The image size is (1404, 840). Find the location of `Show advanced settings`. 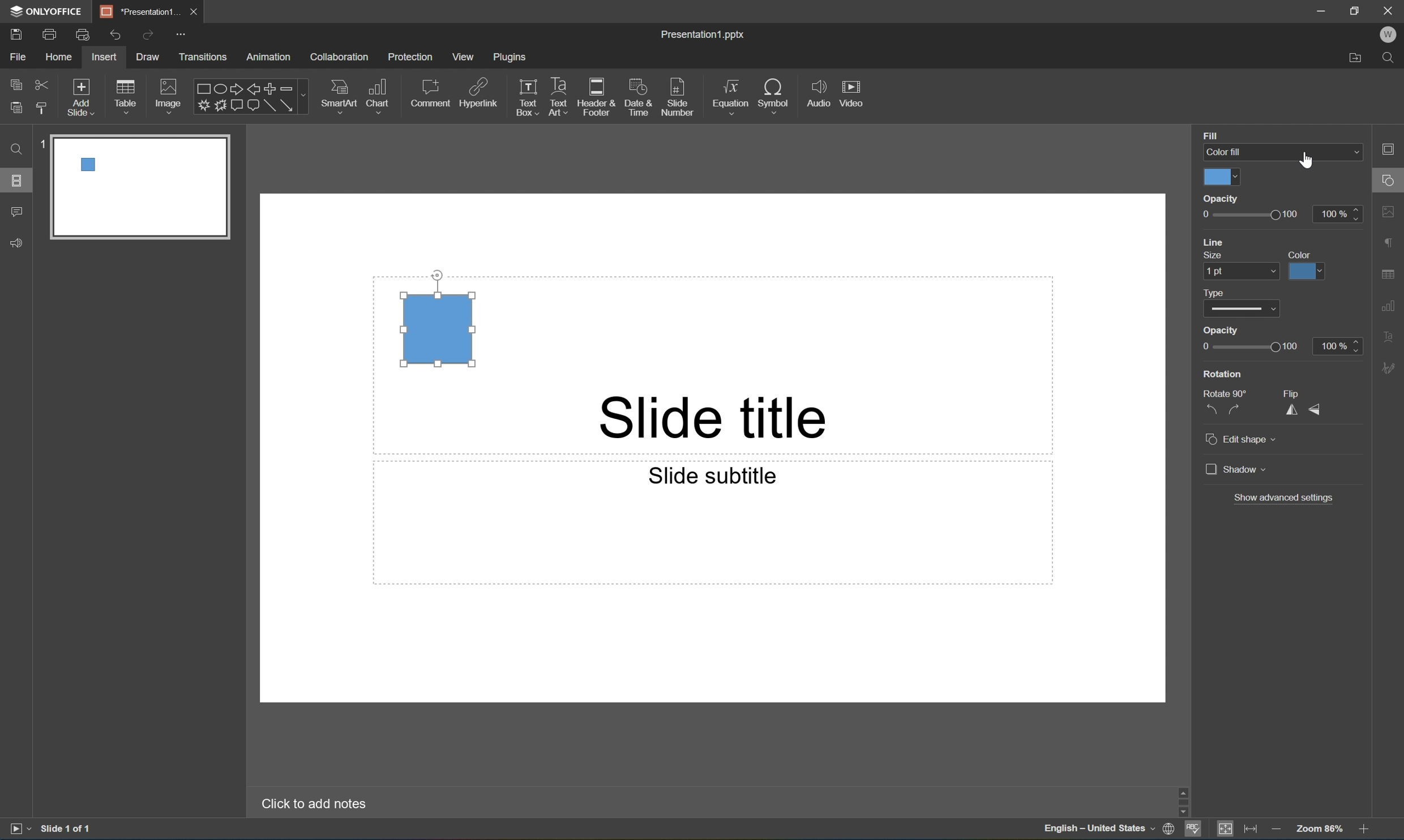

Show advanced settings is located at coordinates (1282, 500).